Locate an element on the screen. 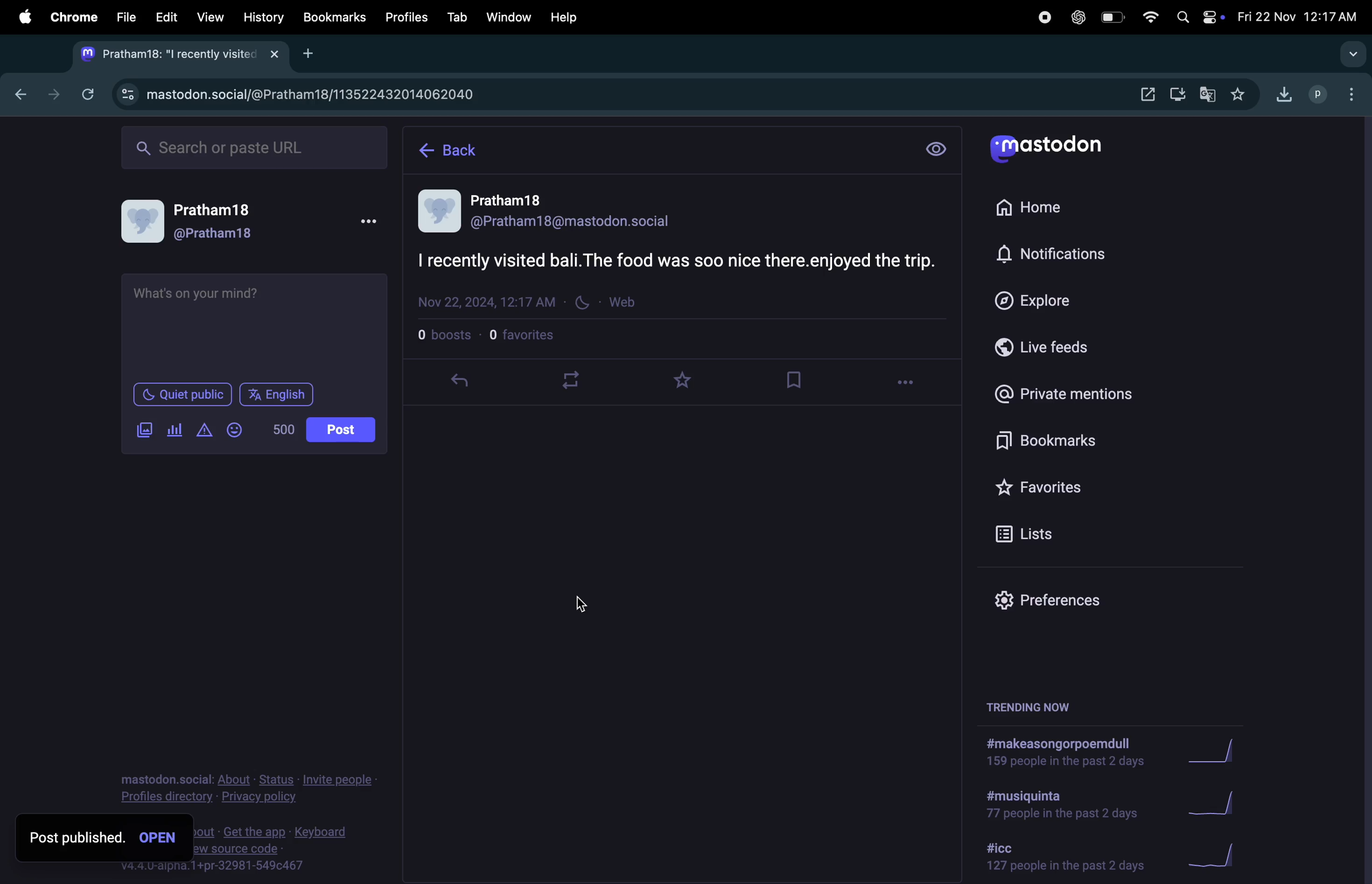 The image size is (1372, 884). favourites is located at coordinates (1048, 485).